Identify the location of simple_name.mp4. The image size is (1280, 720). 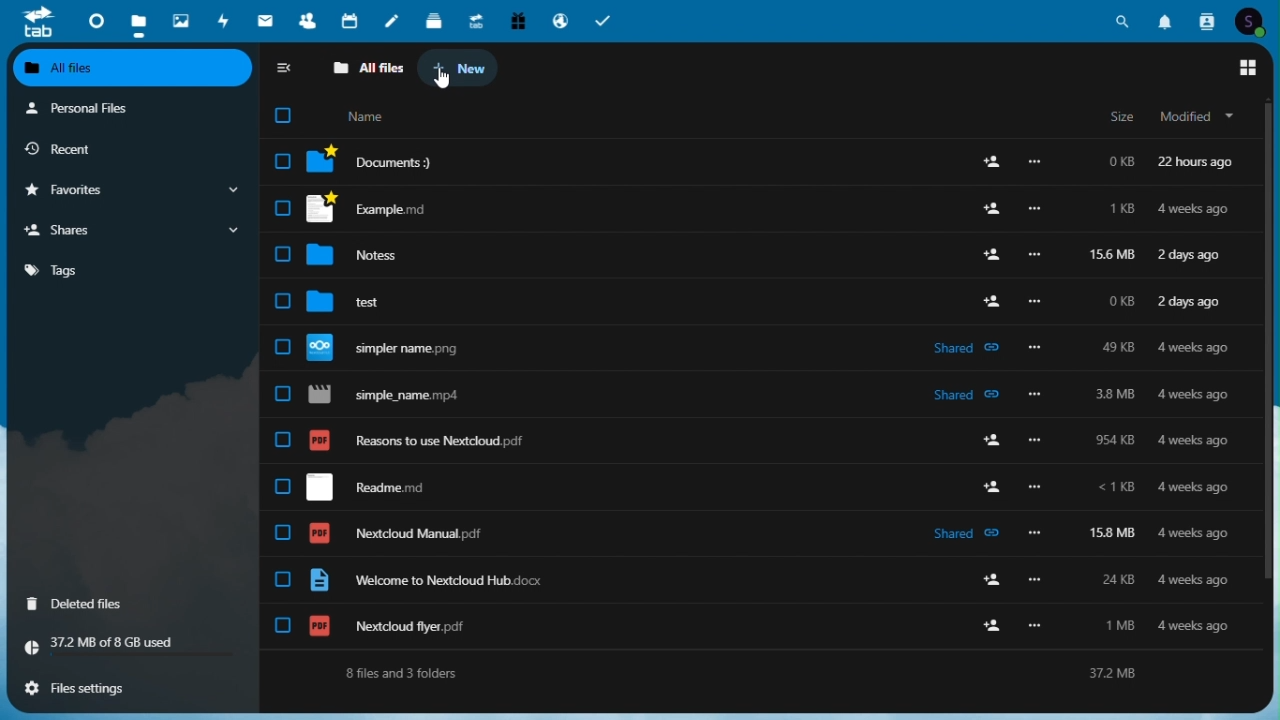
(391, 395).